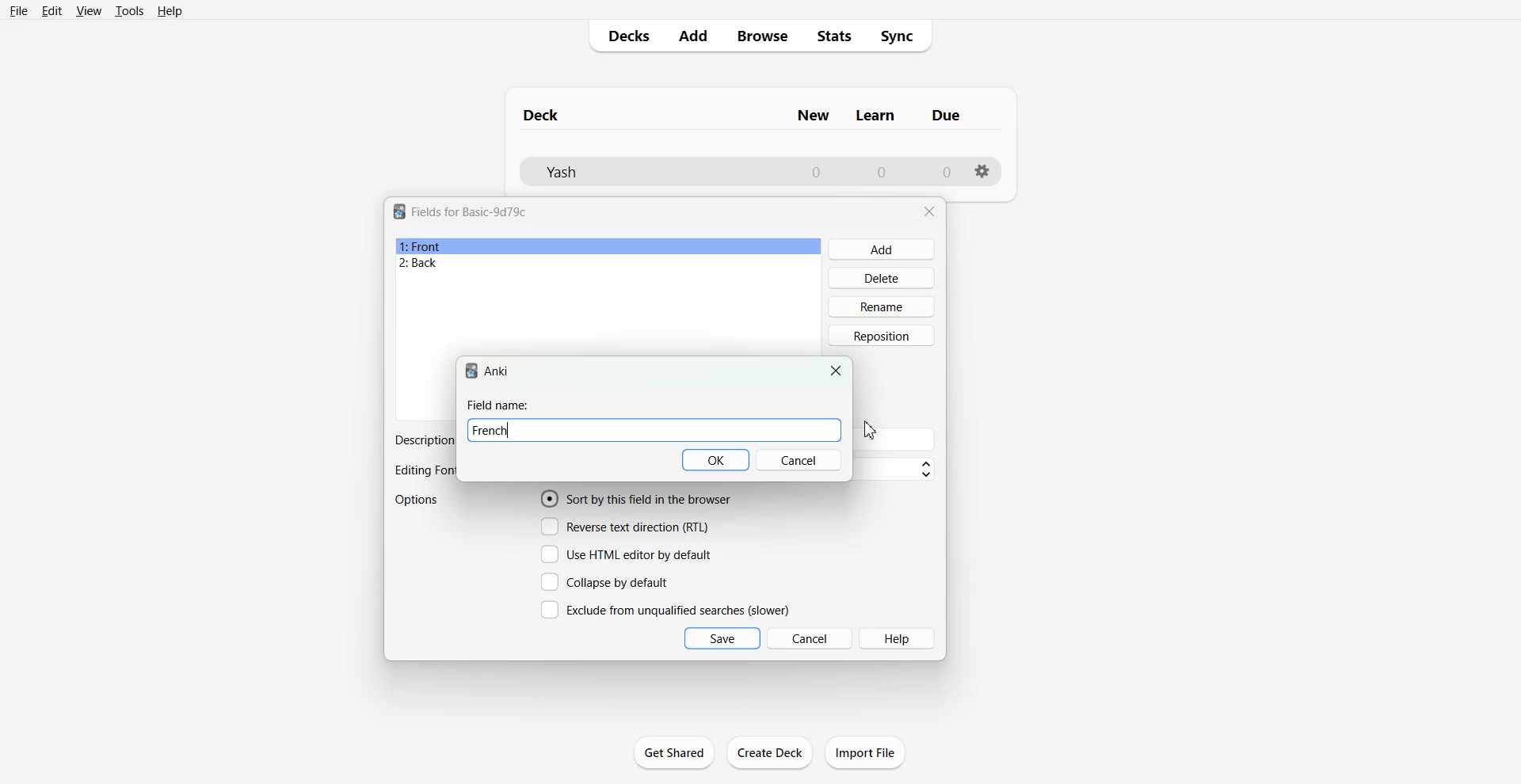 Image resolution: width=1521 pixels, height=784 pixels. What do you see at coordinates (418, 500) in the screenshot?
I see `Options` at bounding box center [418, 500].